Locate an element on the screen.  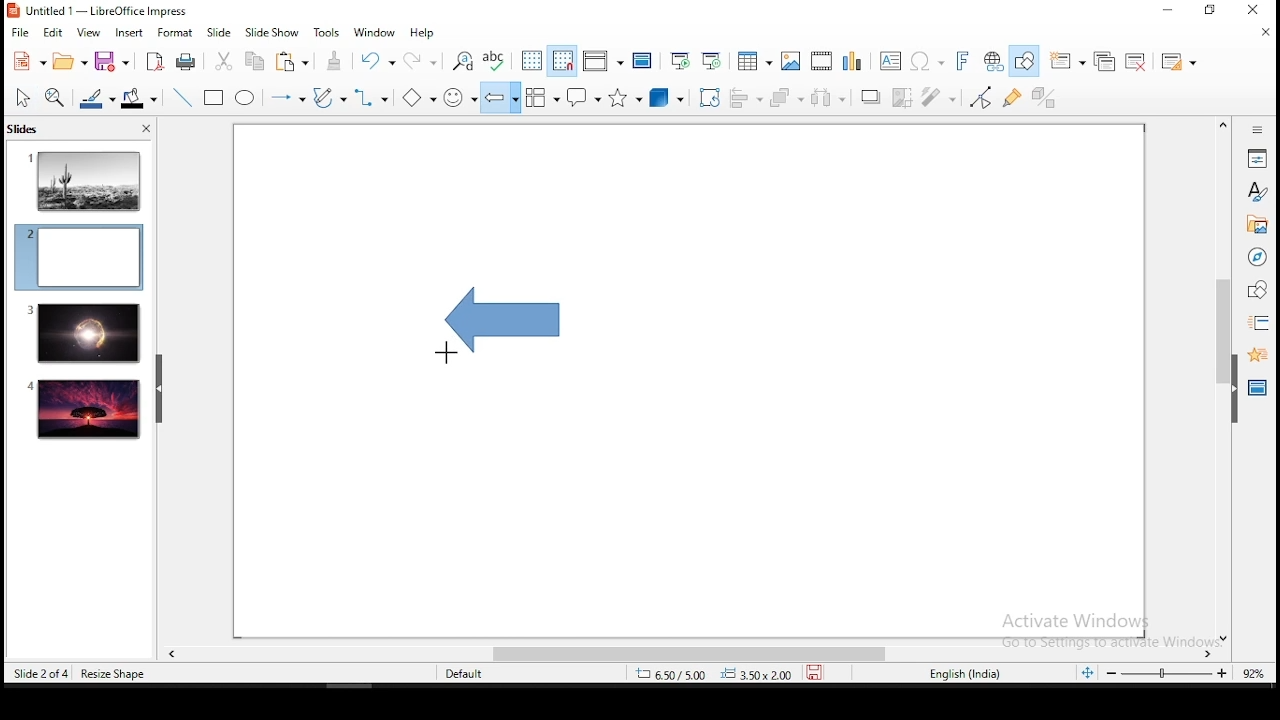
cut is located at coordinates (221, 60).